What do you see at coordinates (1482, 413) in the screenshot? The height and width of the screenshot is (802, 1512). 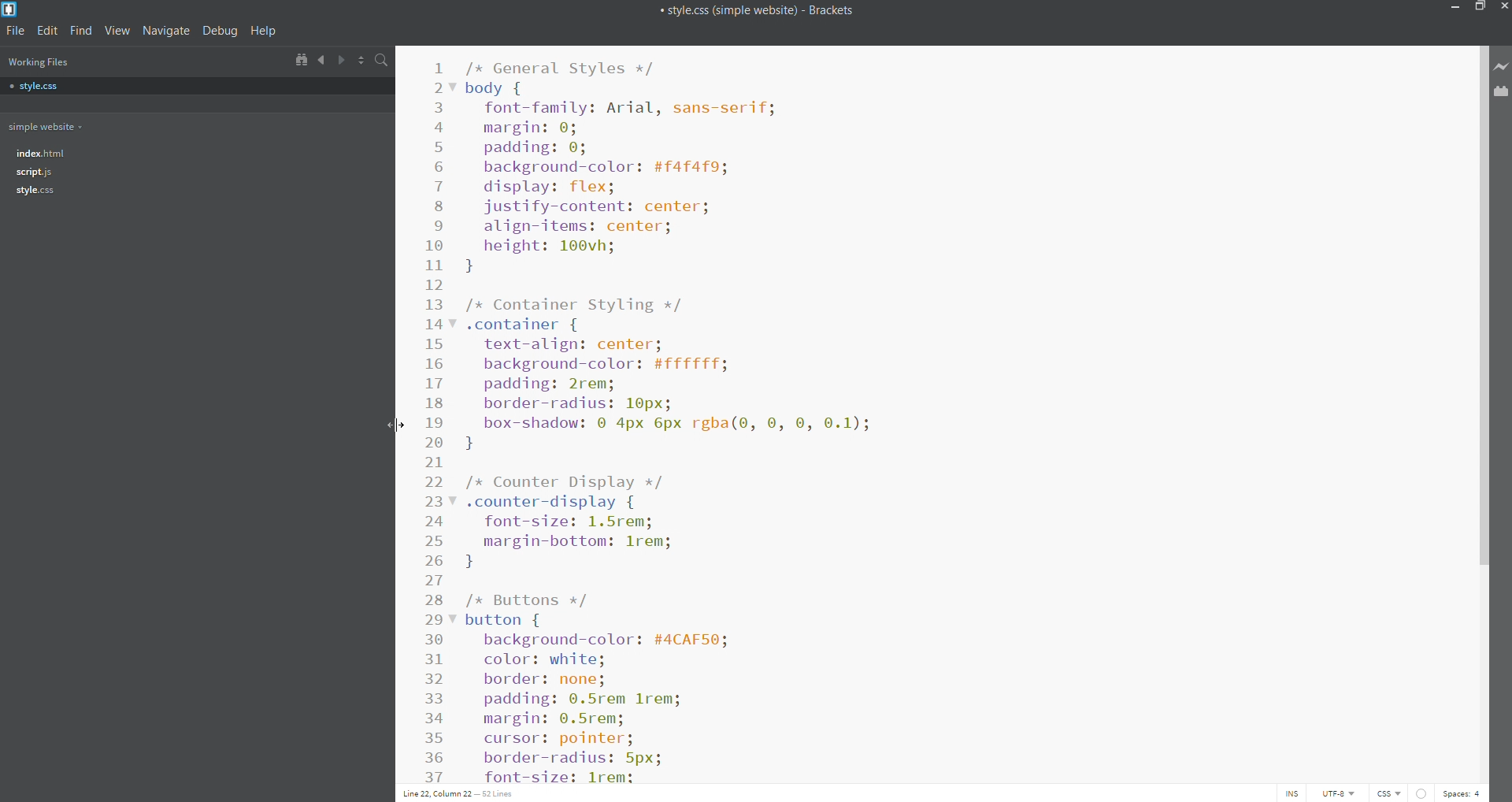 I see `scroll bar` at bounding box center [1482, 413].